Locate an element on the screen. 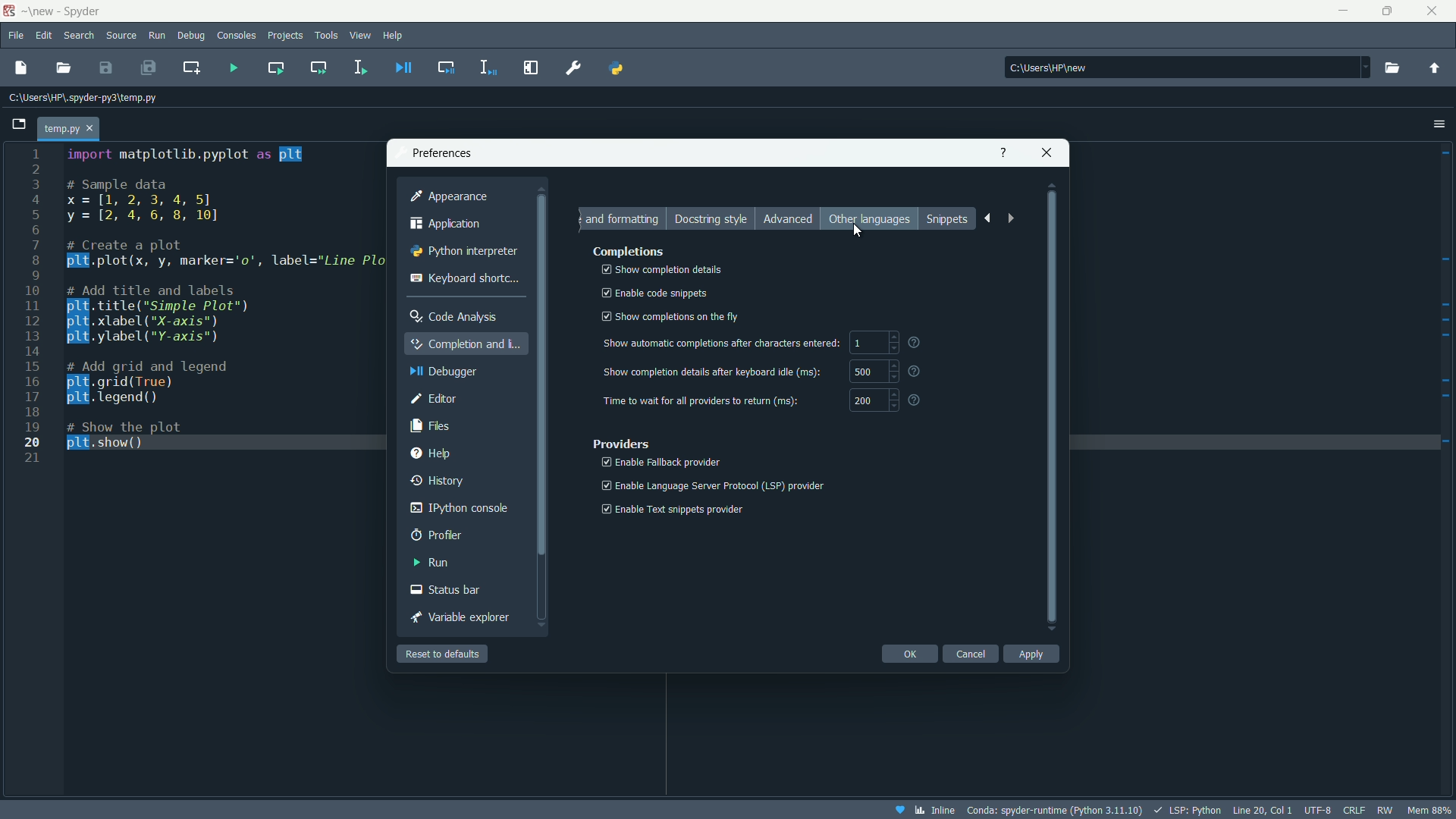 The height and width of the screenshot is (819, 1456). snippets is located at coordinates (949, 220).